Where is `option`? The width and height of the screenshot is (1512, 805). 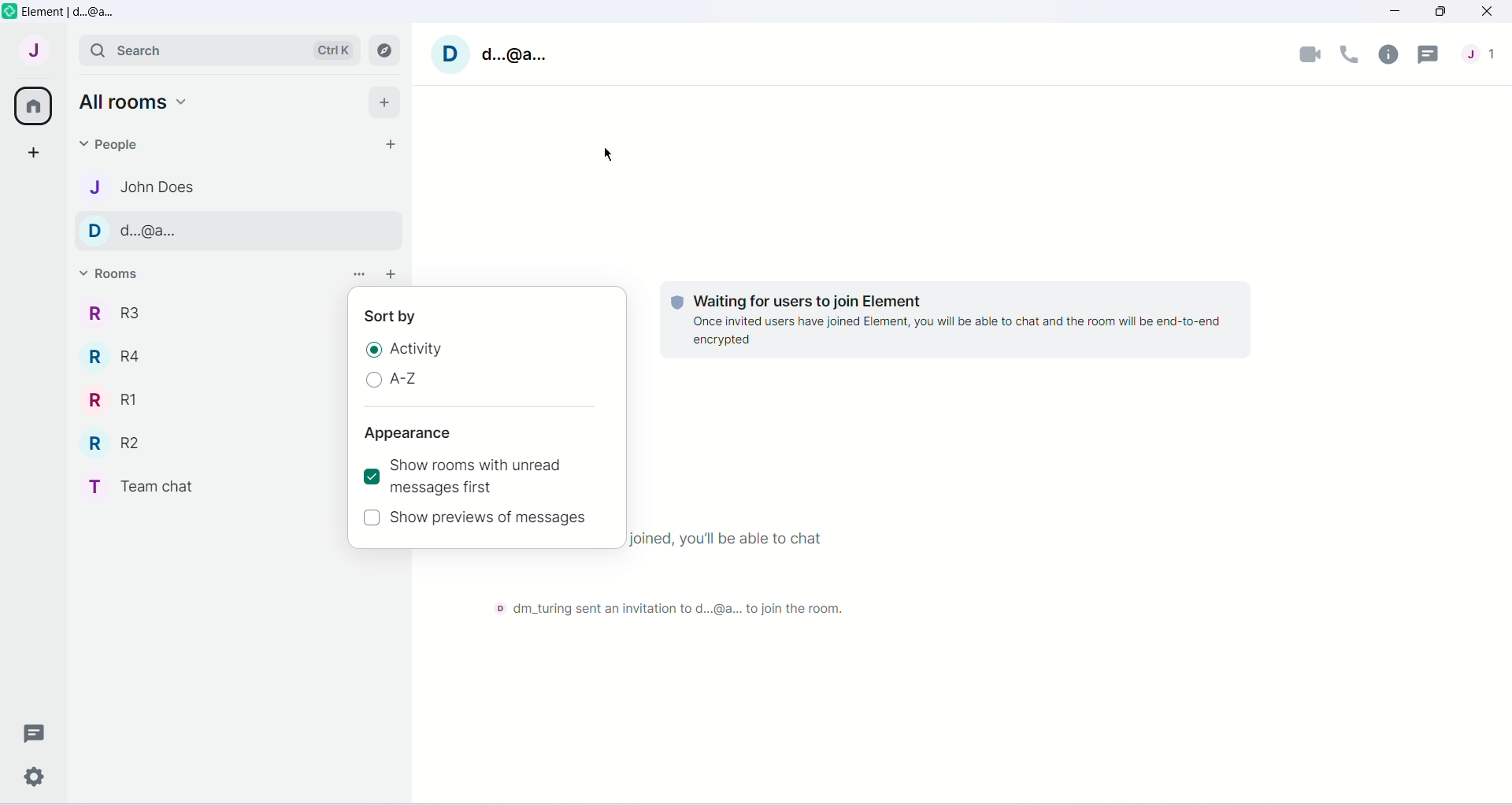 option is located at coordinates (353, 273).